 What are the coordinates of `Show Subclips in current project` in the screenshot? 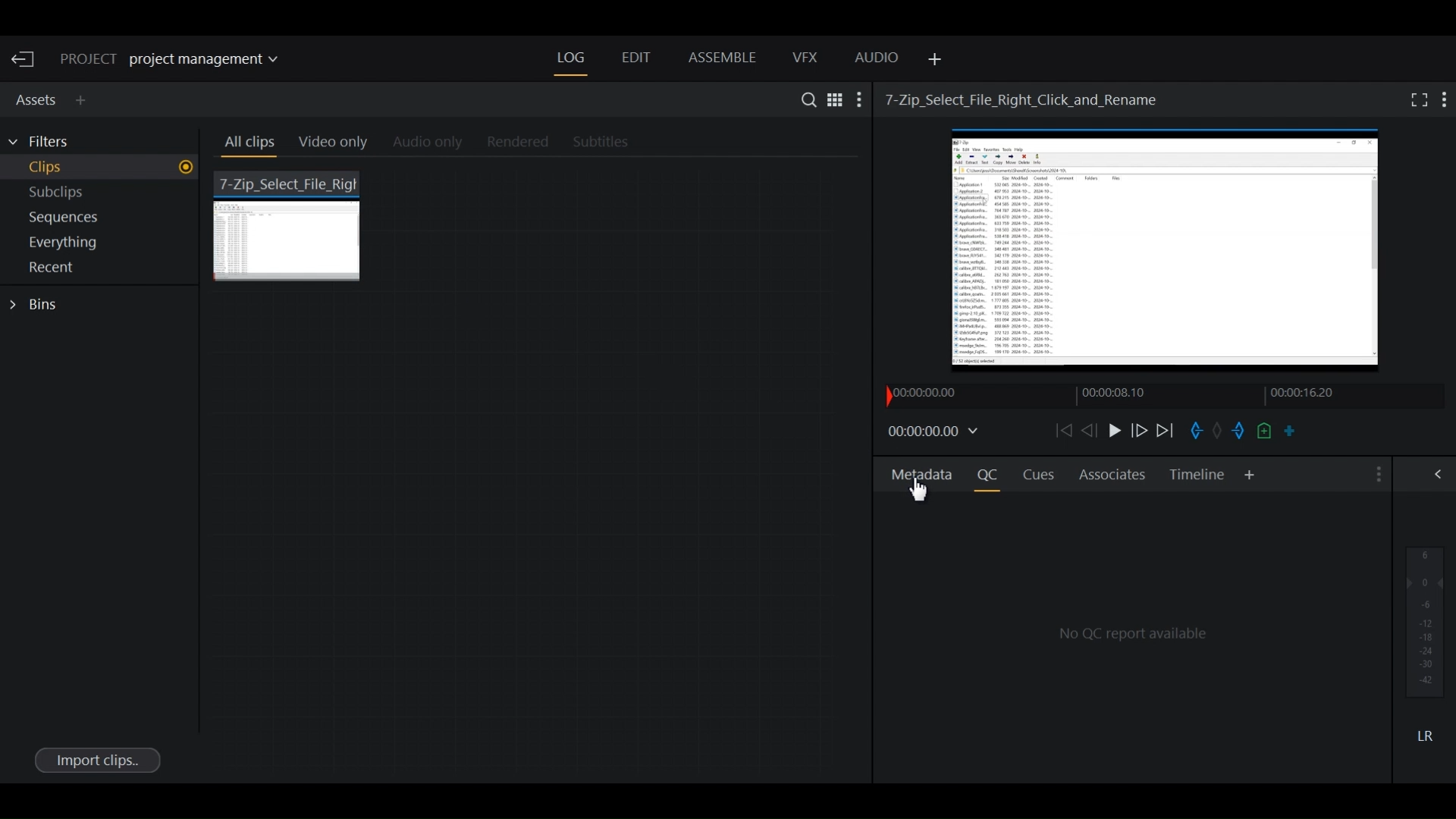 It's located at (103, 195).